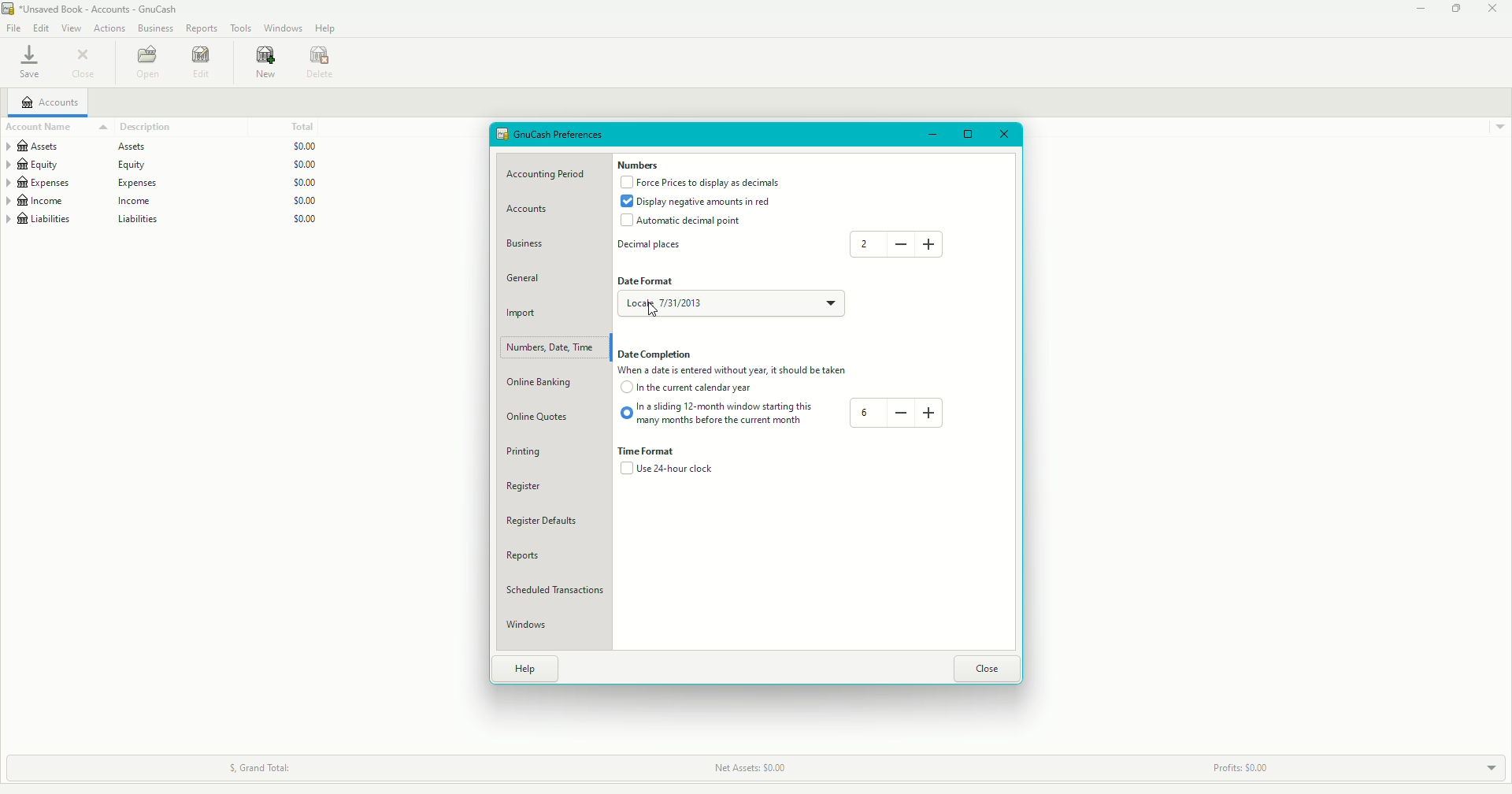  Describe the element at coordinates (752, 767) in the screenshot. I see `Net Assets` at that location.